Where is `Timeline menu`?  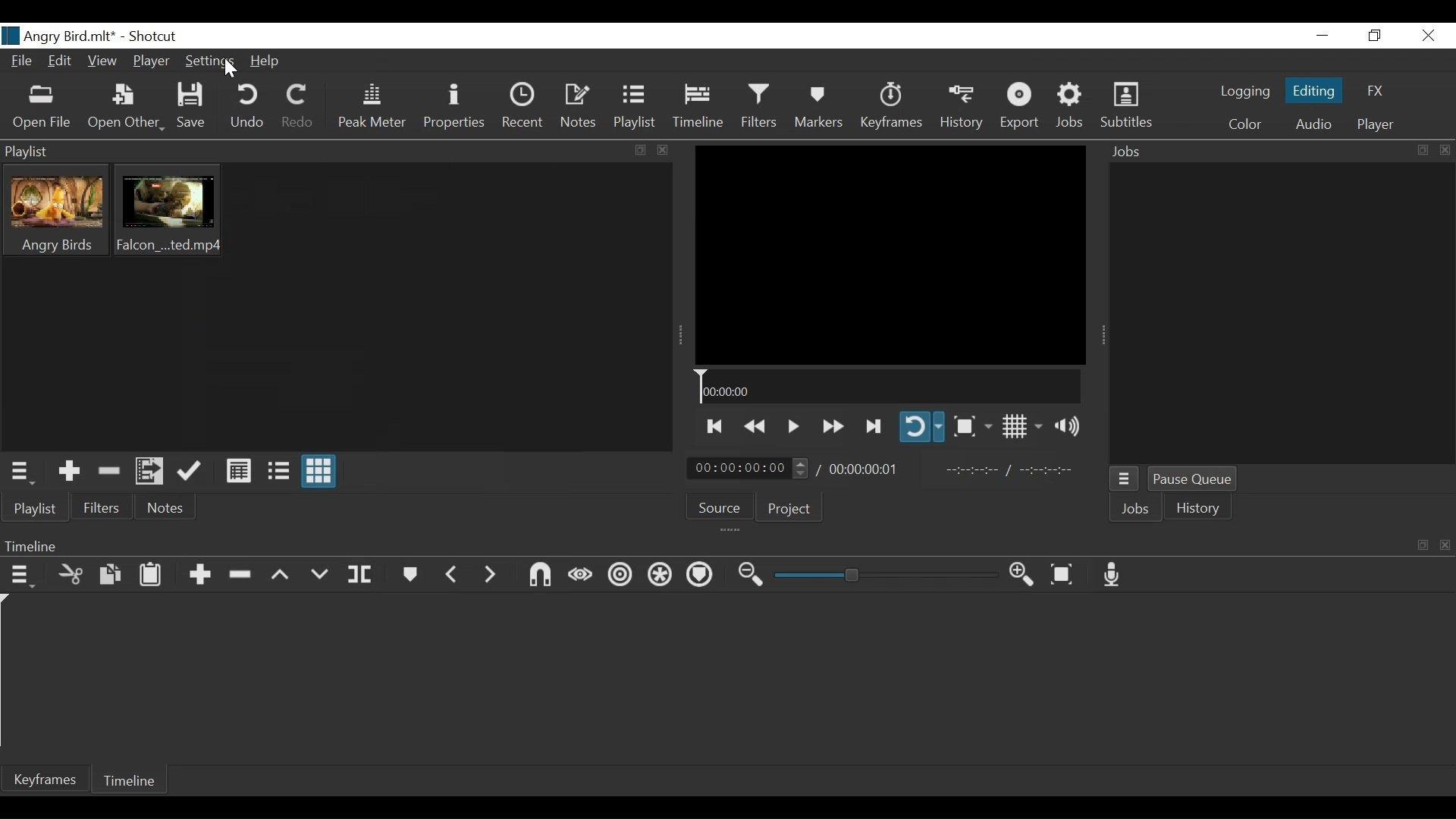
Timeline menu is located at coordinates (24, 578).